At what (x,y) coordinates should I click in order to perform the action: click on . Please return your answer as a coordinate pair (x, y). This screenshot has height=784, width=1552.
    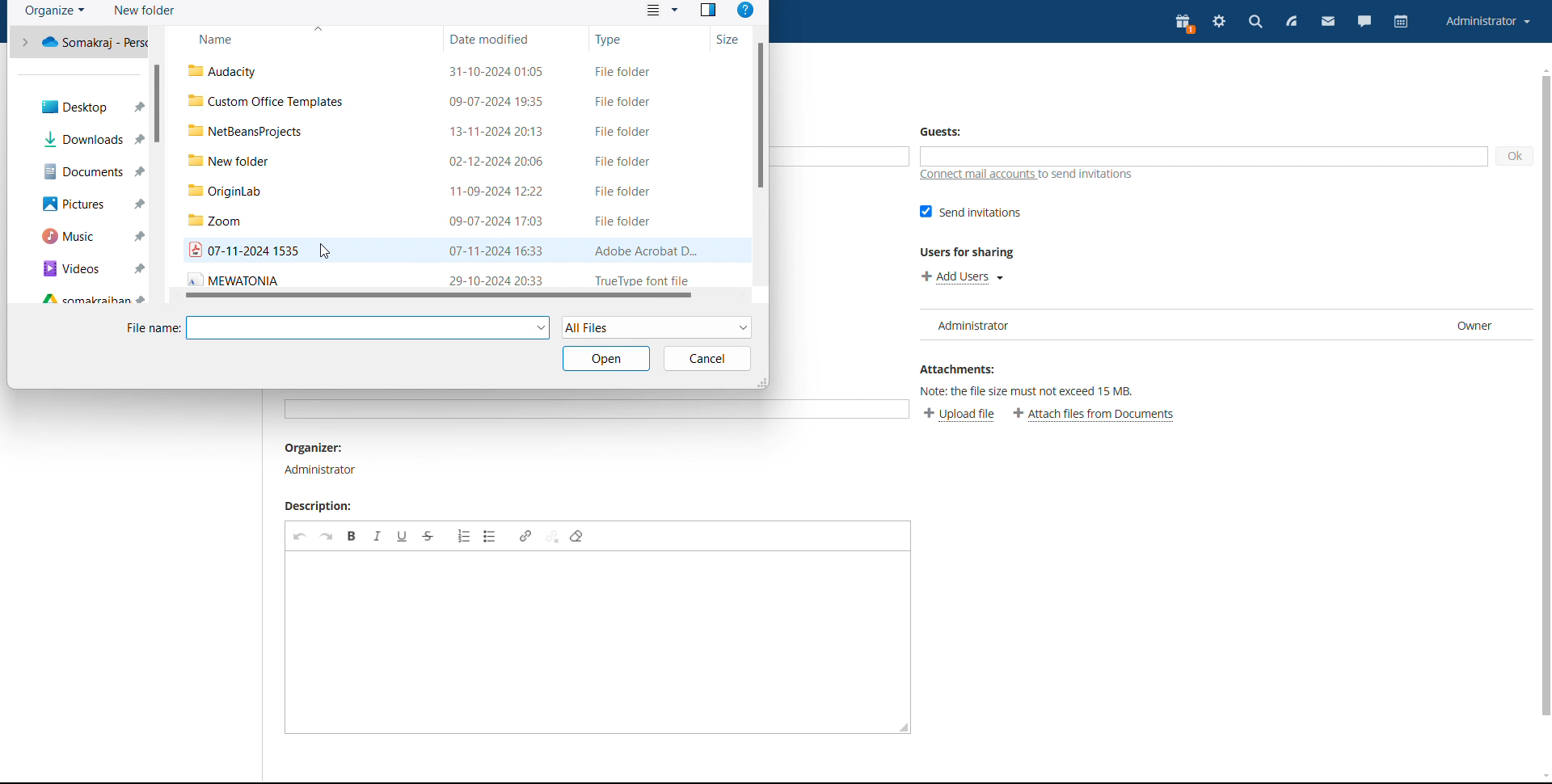
    Looking at the image, I should click on (445, 278).